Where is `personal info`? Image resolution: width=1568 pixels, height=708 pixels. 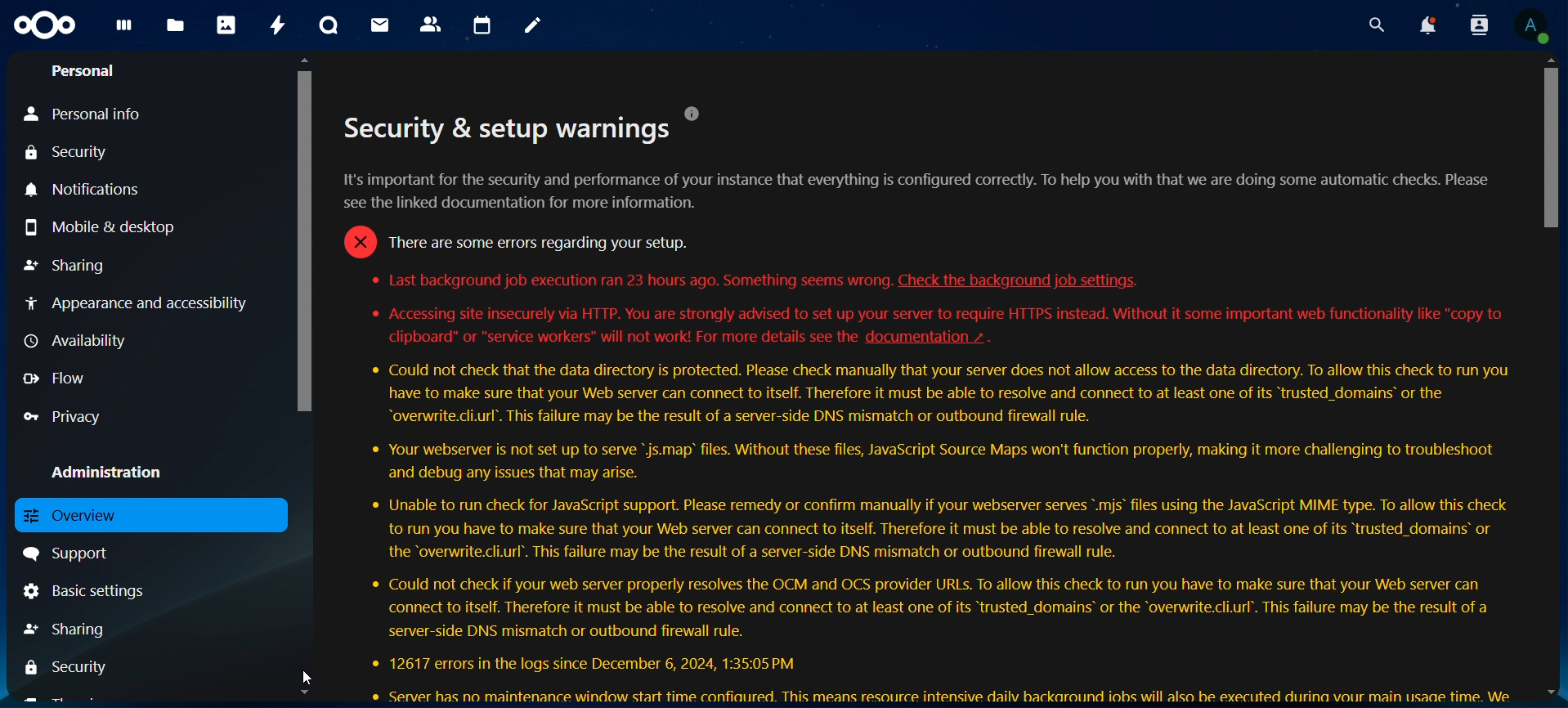
personal info is located at coordinates (81, 114).